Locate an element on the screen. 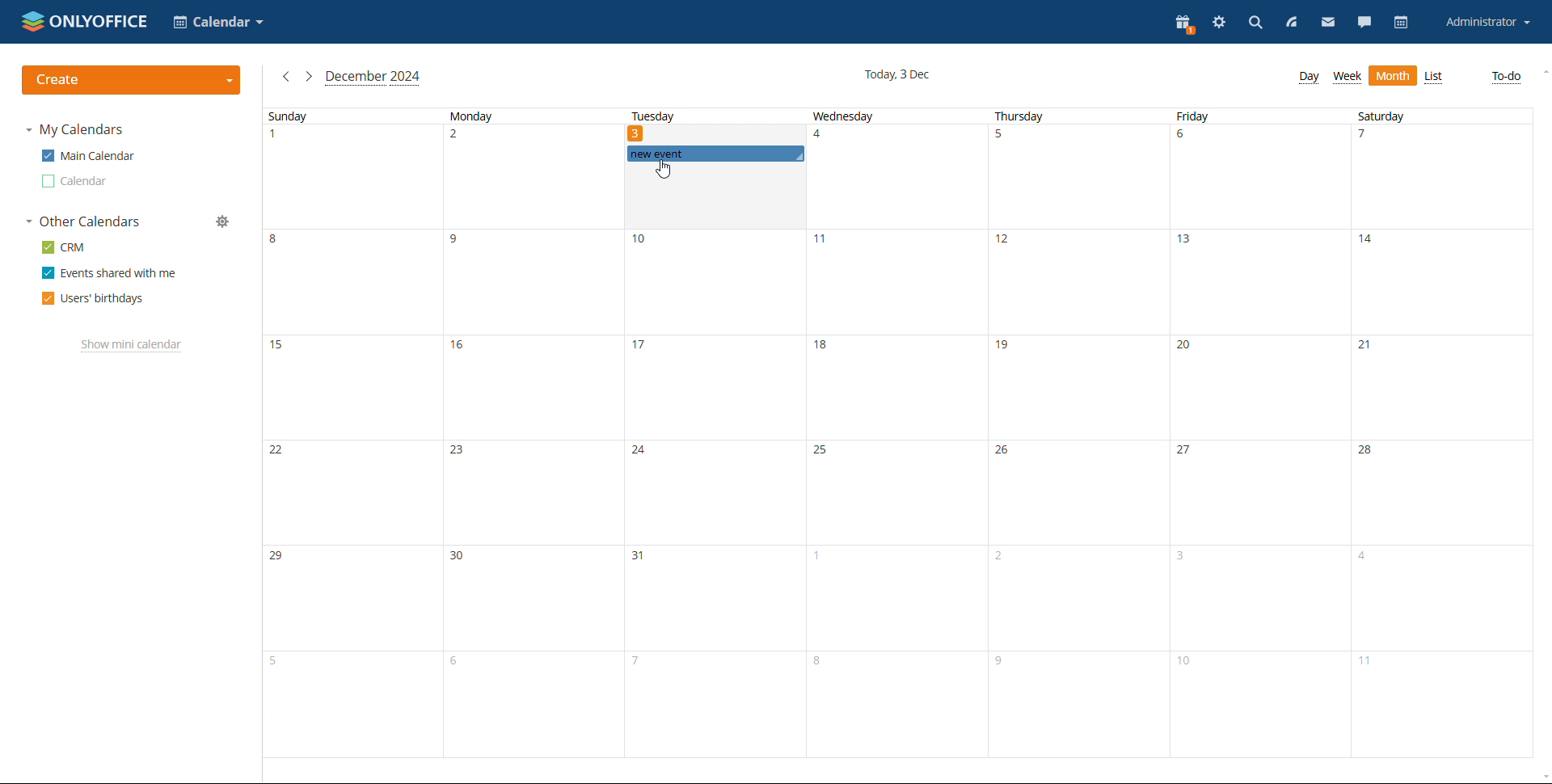 The width and height of the screenshot is (1552, 784). to-do is located at coordinates (1506, 76).